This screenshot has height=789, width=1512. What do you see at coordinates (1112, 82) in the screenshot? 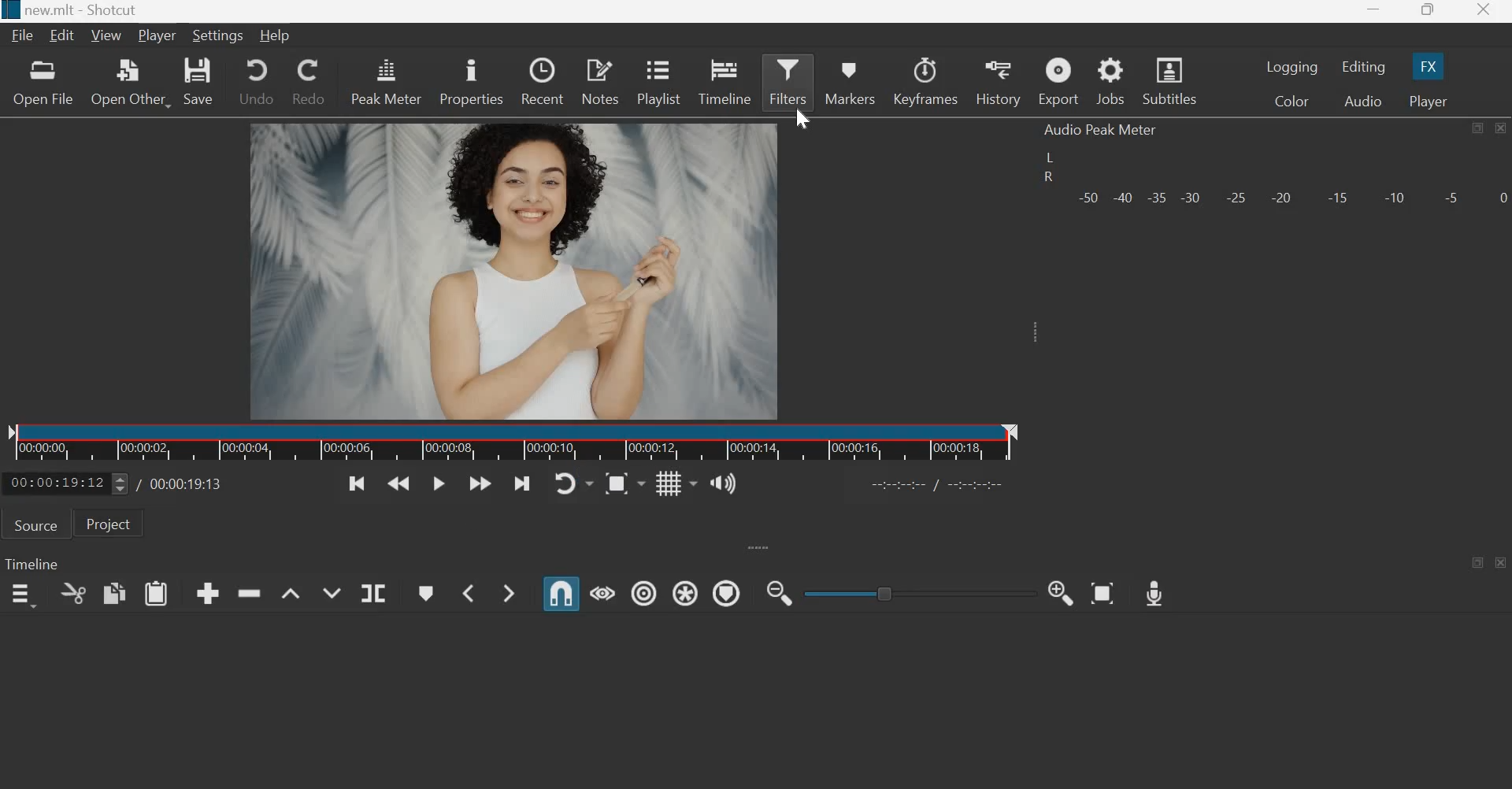
I see `jobs` at bounding box center [1112, 82].